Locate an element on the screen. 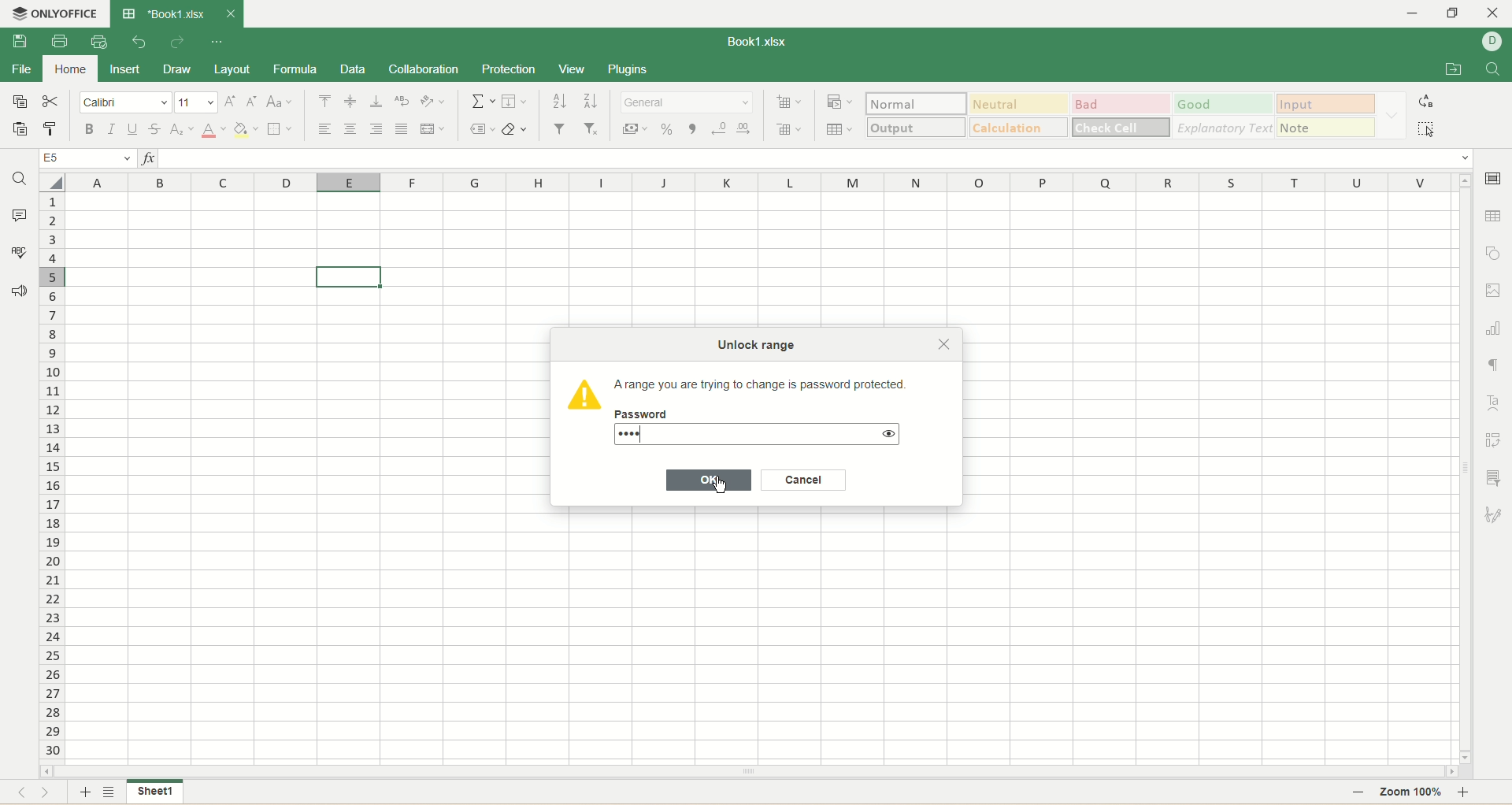  summation is located at coordinates (485, 101).